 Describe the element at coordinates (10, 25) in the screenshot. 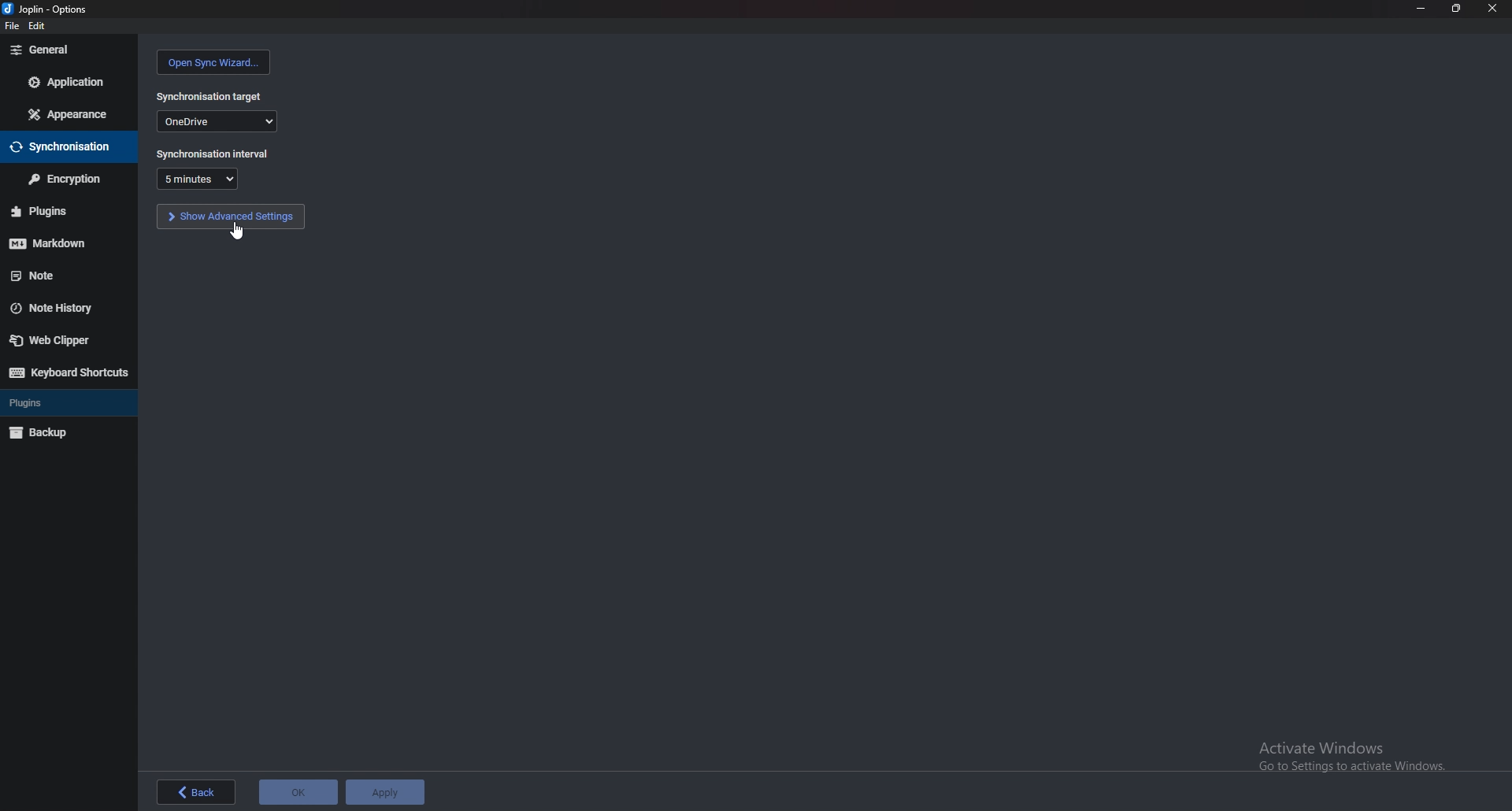

I see `file` at that location.